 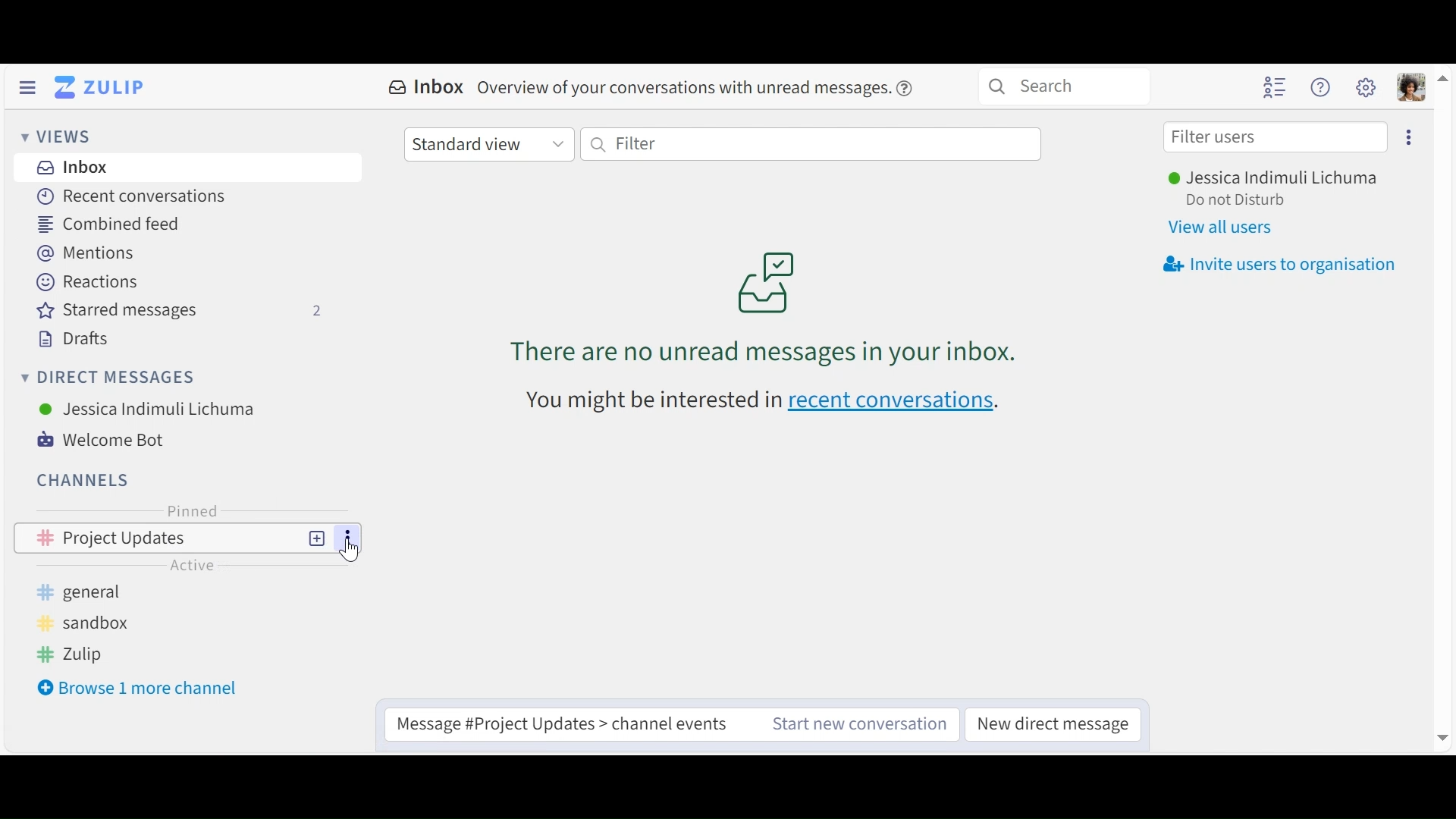 What do you see at coordinates (112, 440) in the screenshot?
I see `Welcome Bot` at bounding box center [112, 440].